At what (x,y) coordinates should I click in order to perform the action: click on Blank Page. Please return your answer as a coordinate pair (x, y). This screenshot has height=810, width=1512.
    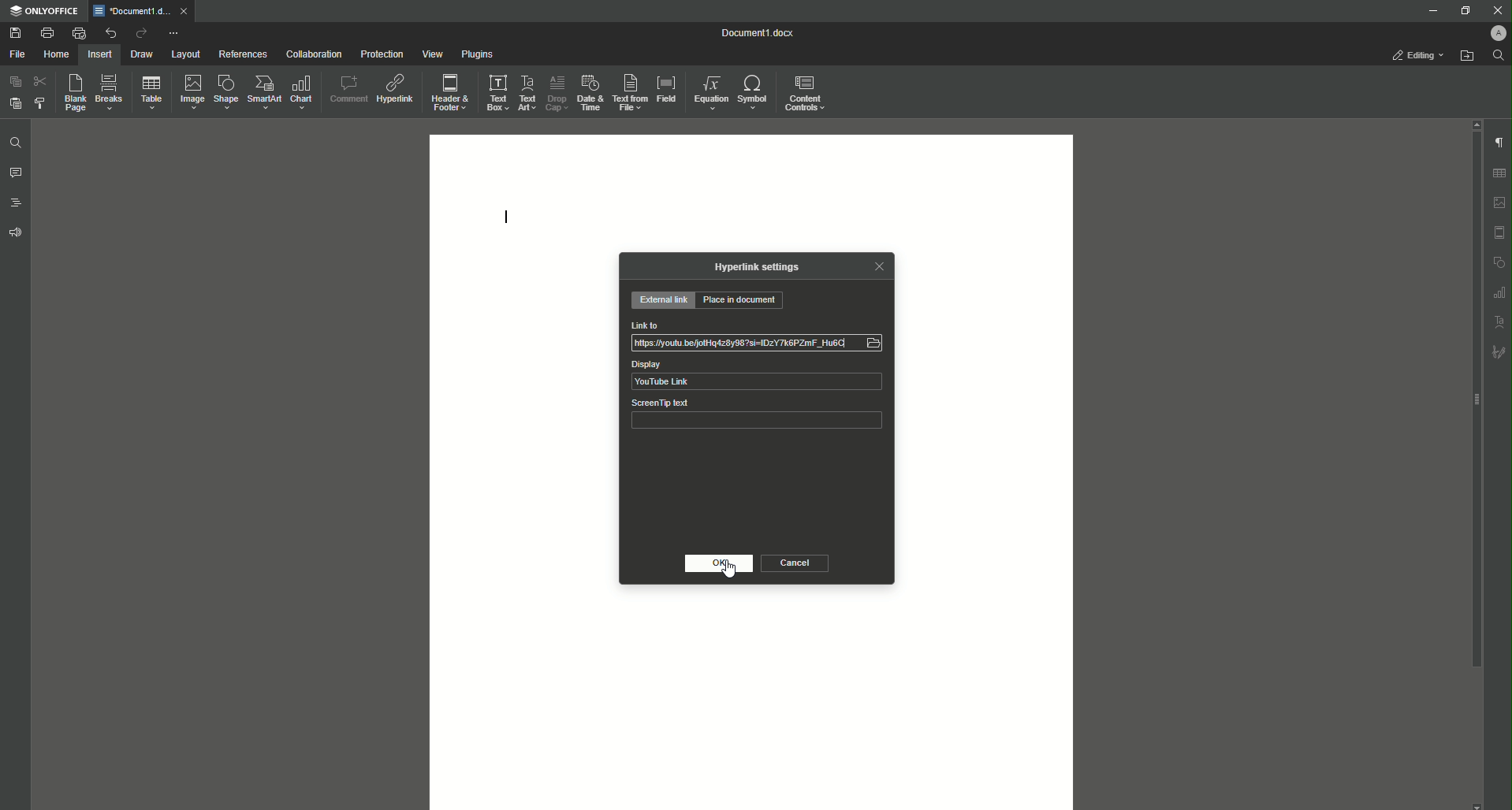
    Looking at the image, I should click on (74, 92).